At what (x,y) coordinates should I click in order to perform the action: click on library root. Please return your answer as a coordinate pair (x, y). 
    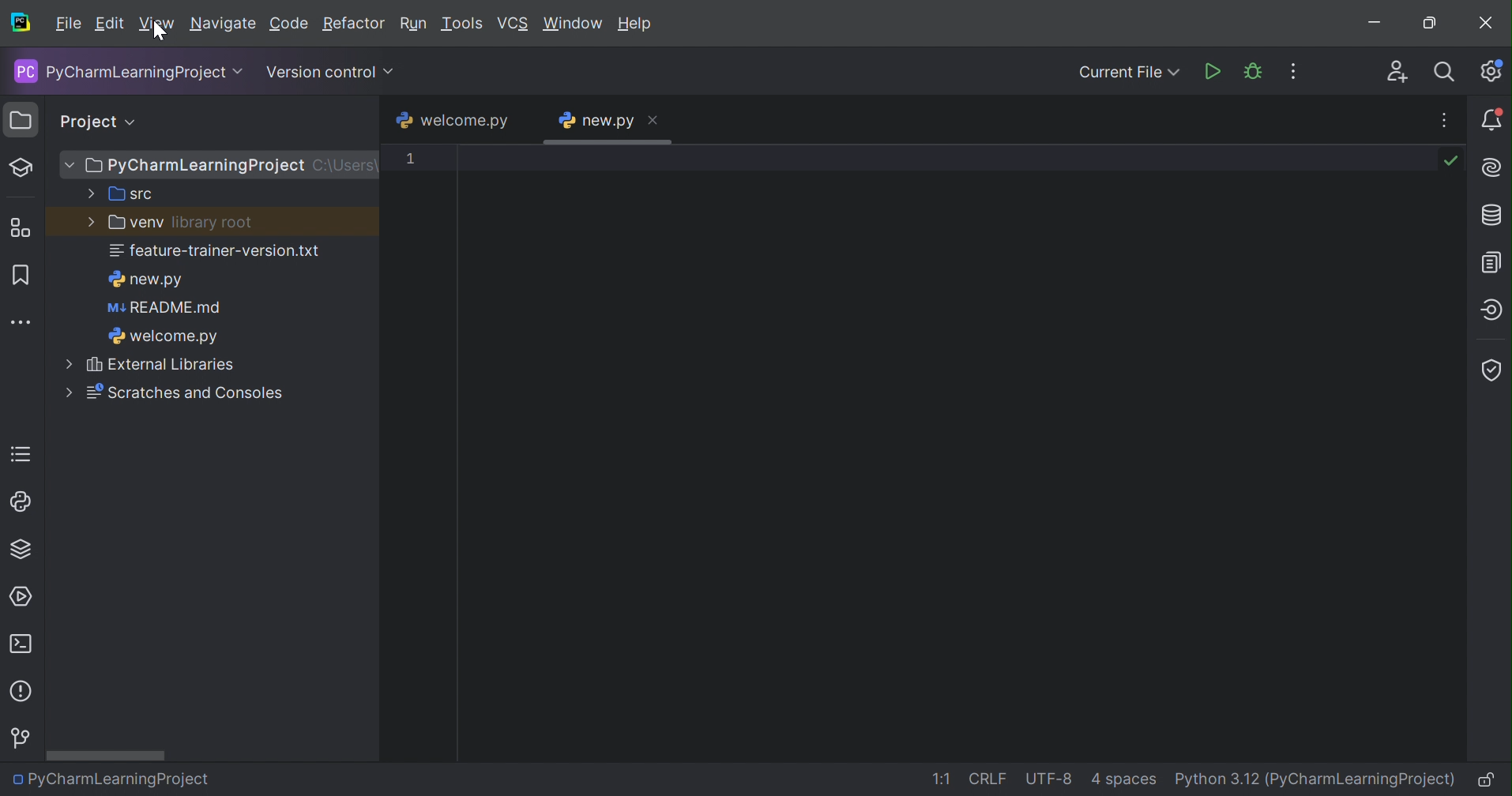
    Looking at the image, I should click on (213, 224).